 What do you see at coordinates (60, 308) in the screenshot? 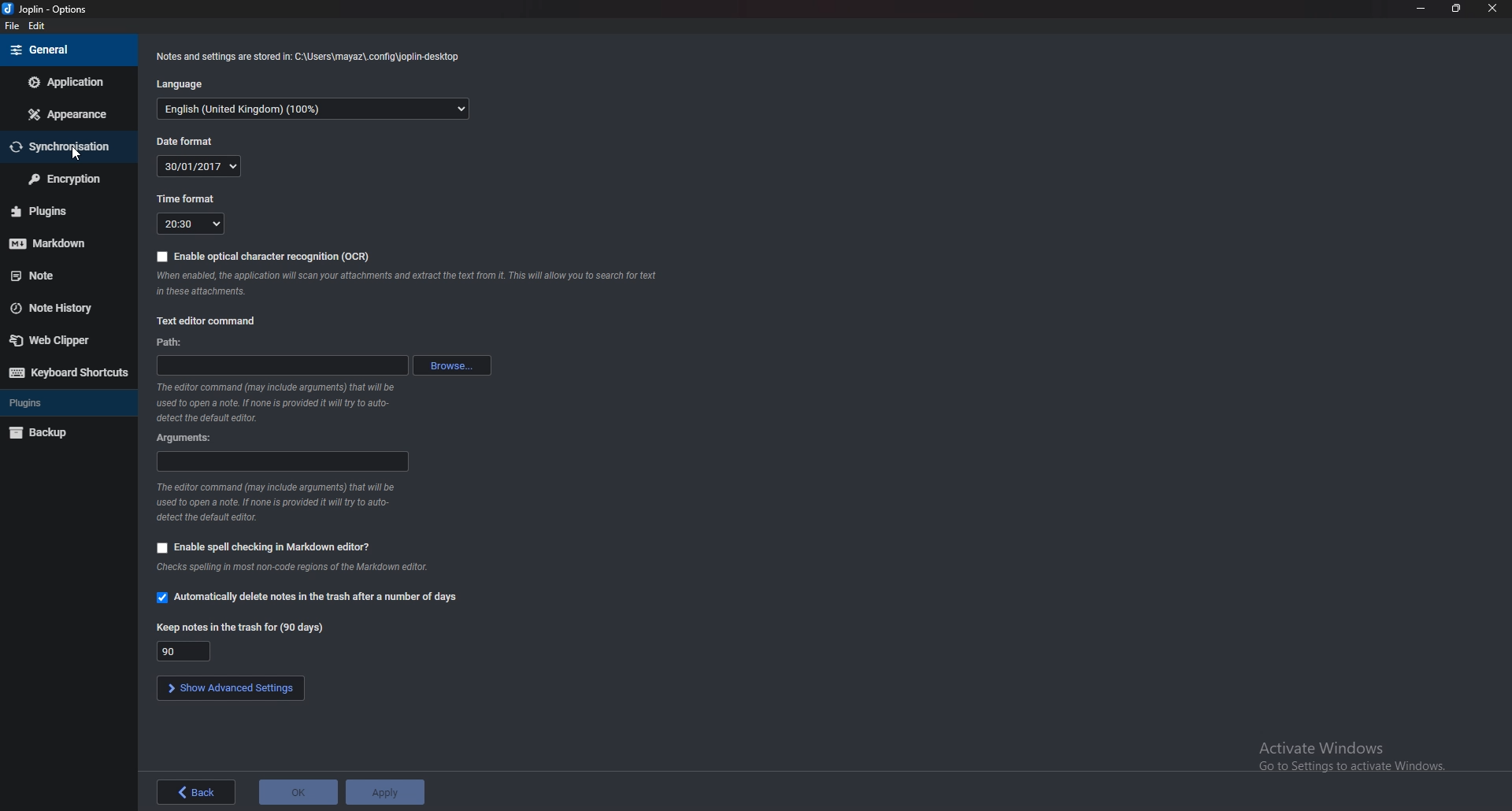
I see `note history` at bounding box center [60, 308].